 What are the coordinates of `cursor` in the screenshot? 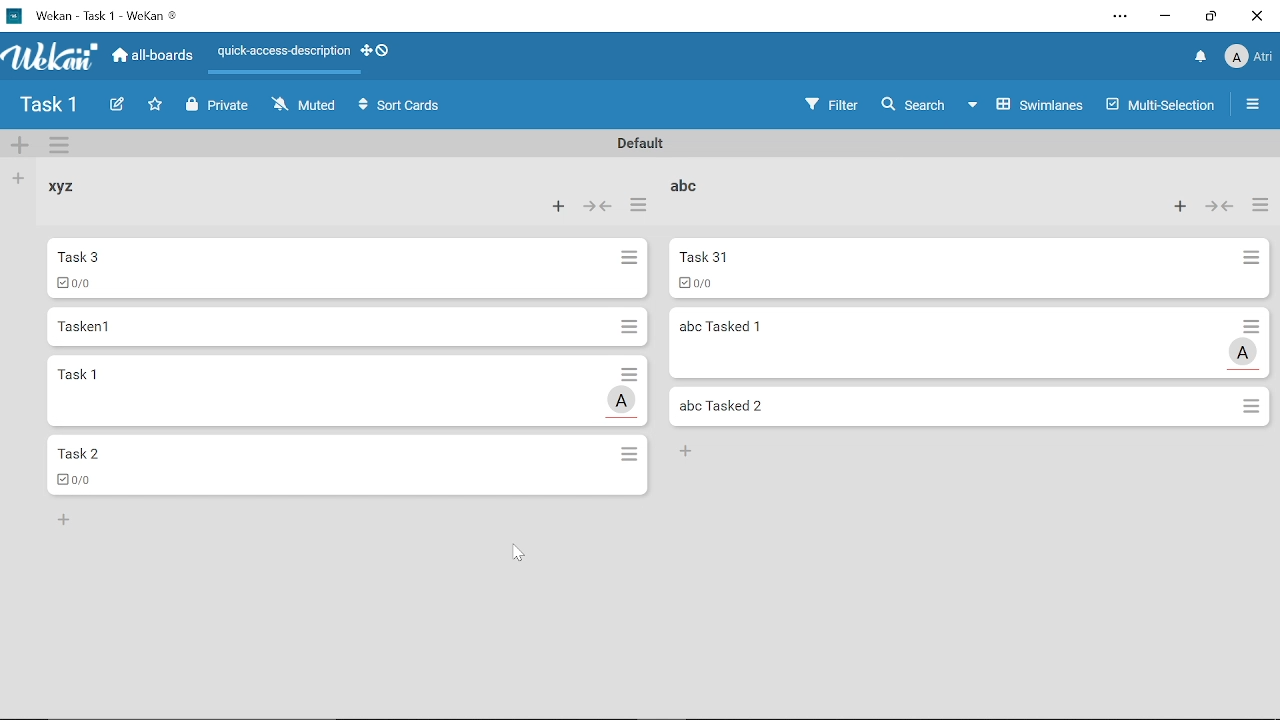 It's located at (527, 559).